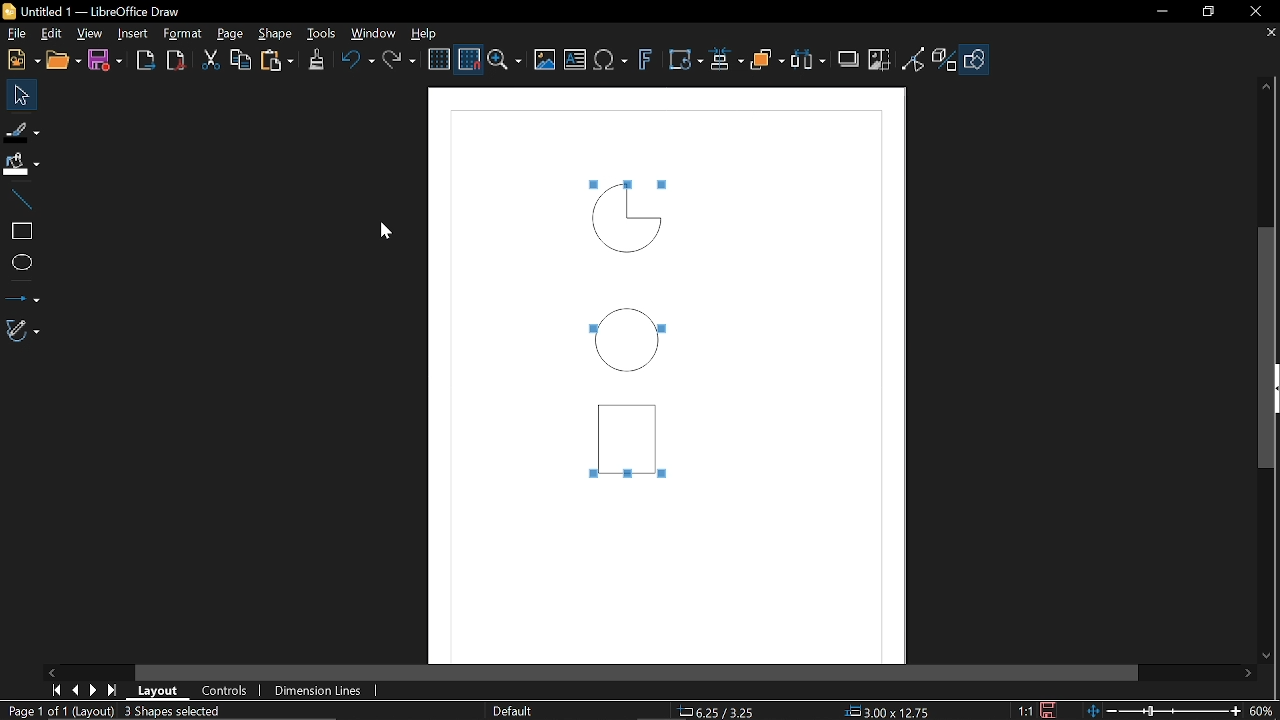  I want to click on Circle, so click(626, 337).